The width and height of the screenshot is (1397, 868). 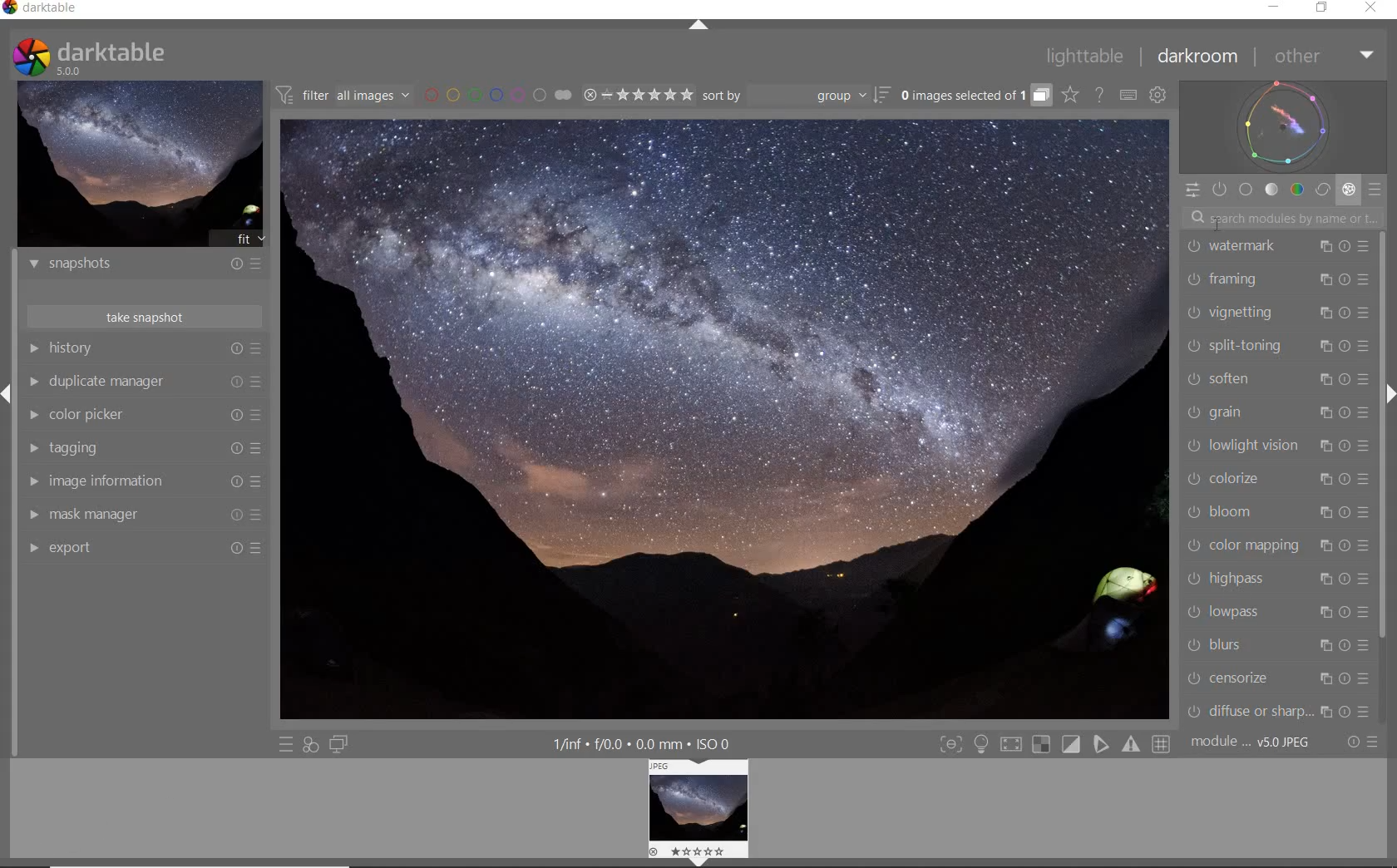 I want to click on presets, so click(x=1360, y=646).